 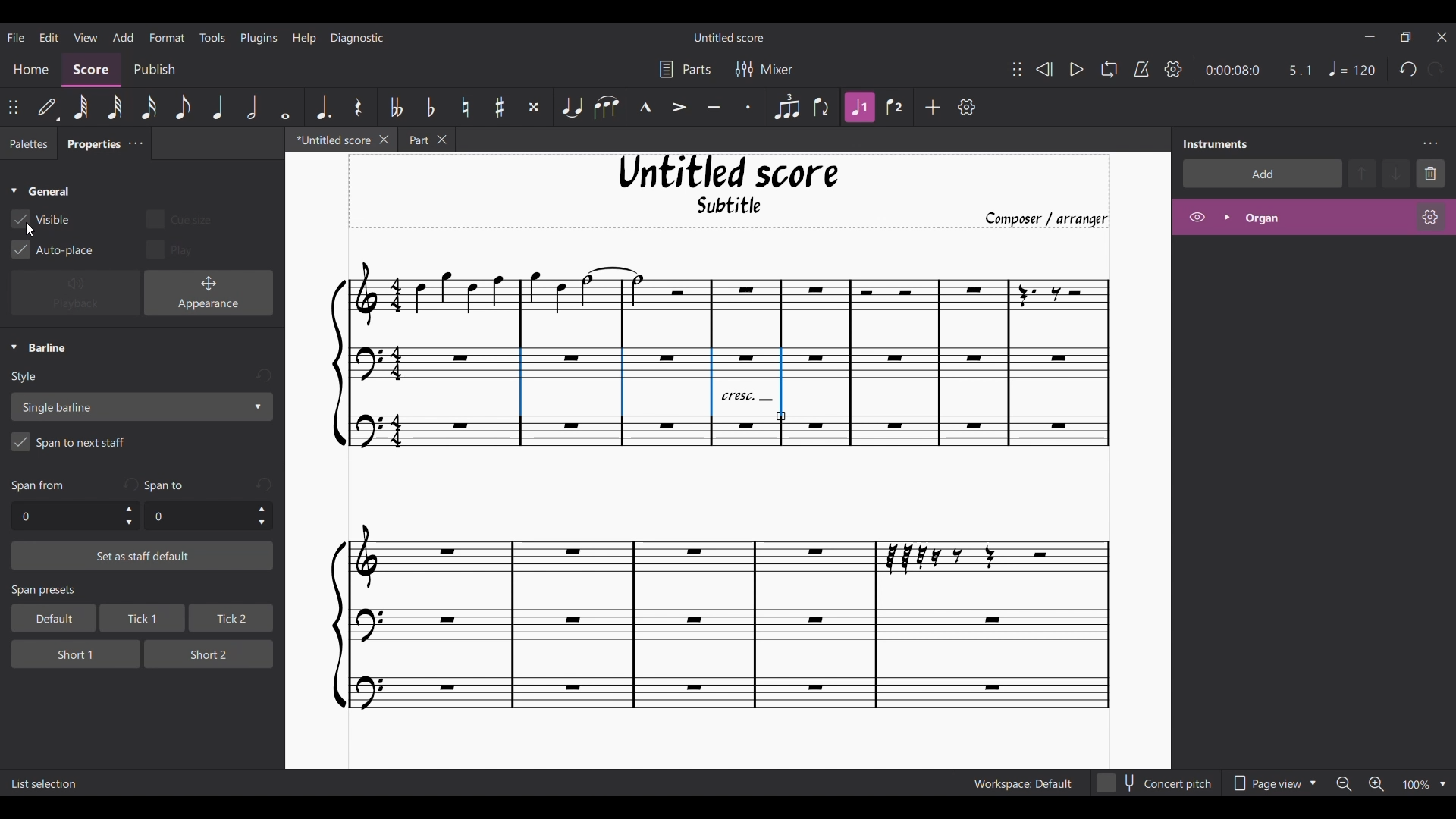 I want to click on Looping playback, so click(x=1108, y=69).